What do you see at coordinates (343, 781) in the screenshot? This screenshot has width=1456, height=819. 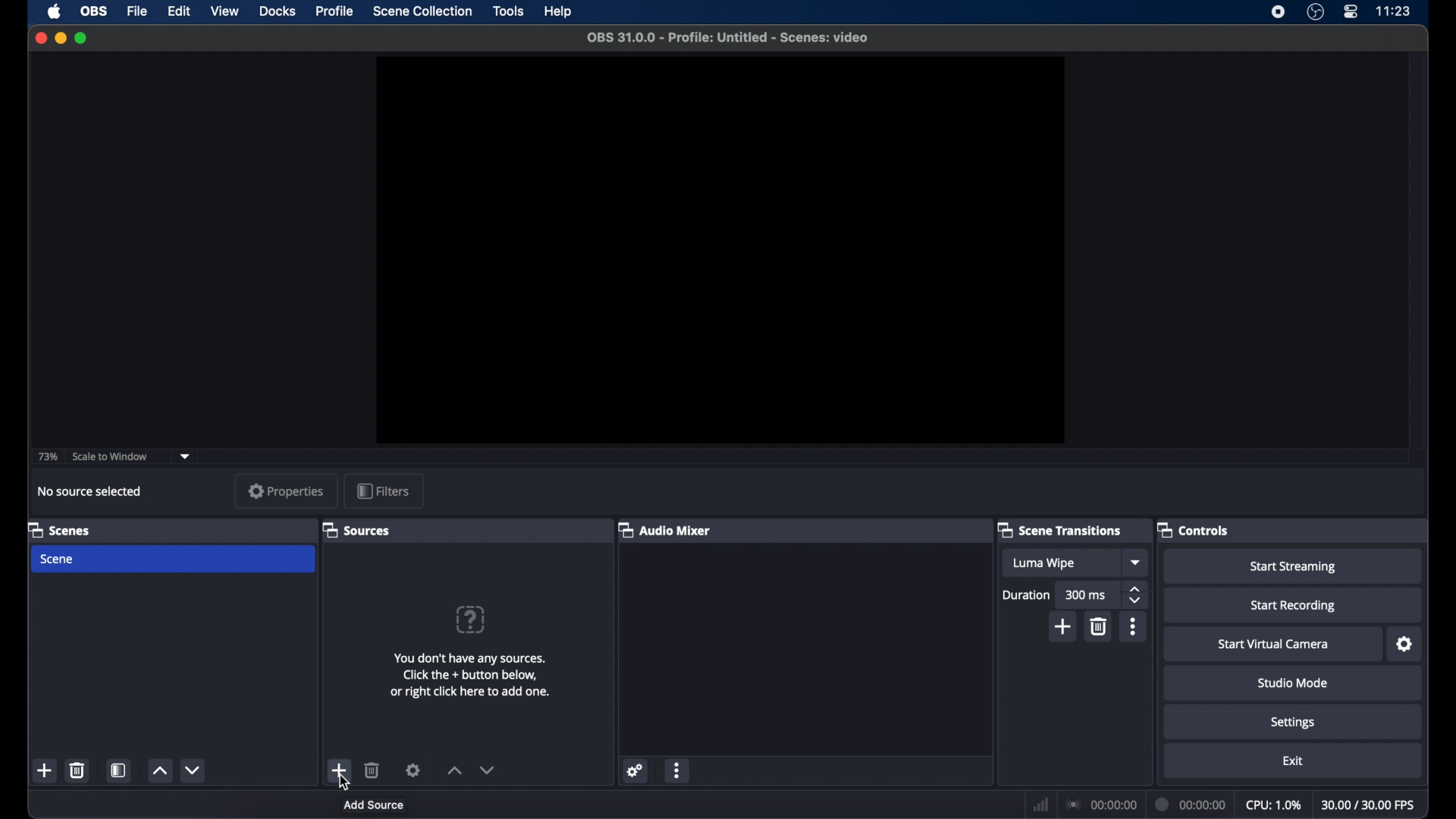 I see `cursor` at bounding box center [343, 781].